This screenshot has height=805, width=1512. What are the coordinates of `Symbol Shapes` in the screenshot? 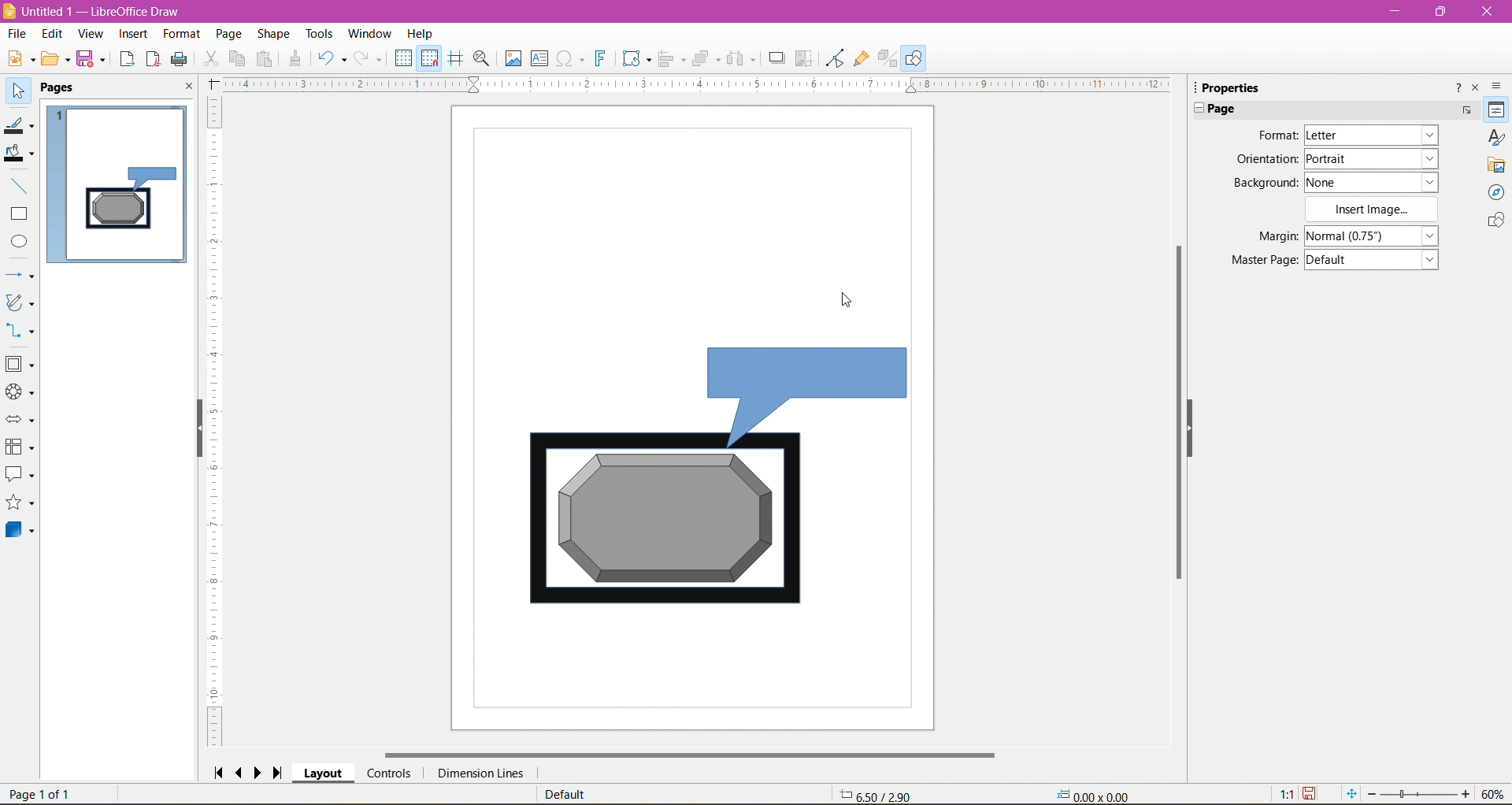 It's located at (20, 393).